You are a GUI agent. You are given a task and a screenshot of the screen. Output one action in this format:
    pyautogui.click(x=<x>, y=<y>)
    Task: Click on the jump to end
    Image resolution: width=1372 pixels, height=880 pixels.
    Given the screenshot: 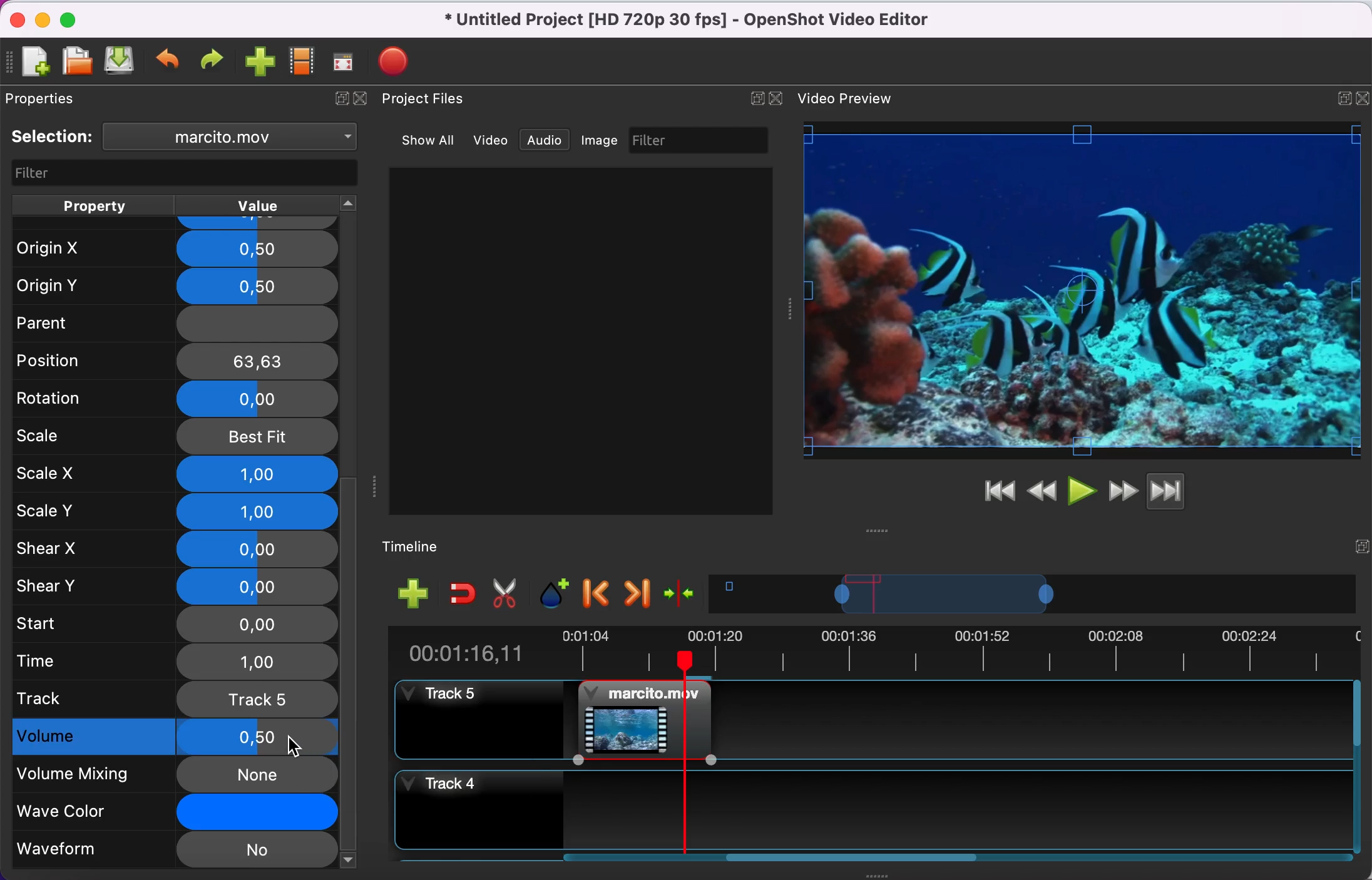 What is the action you would take?
    pyautogui.click(x=1185, y=493)
    